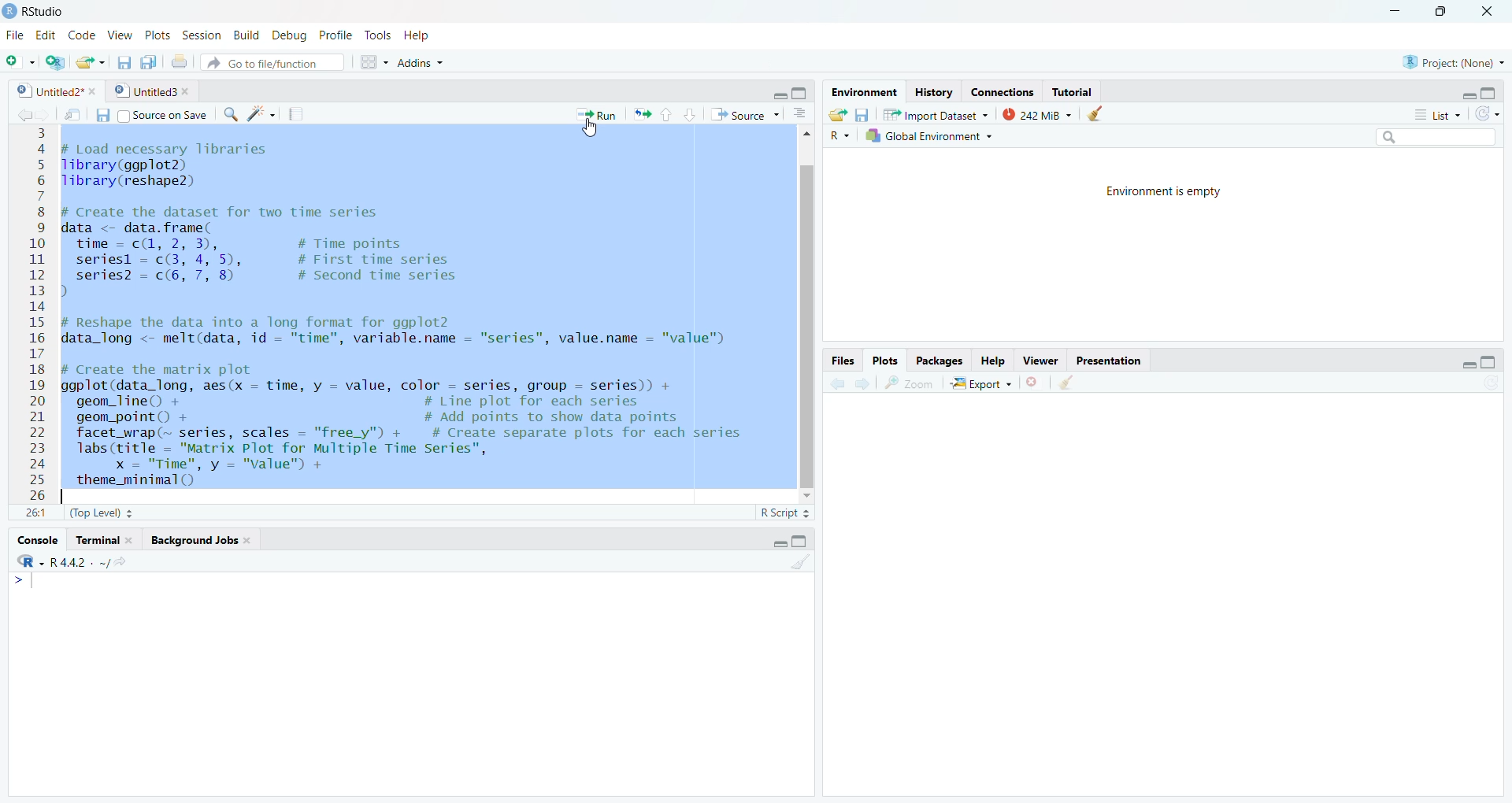 The width and height of the screenshot is (1512, 803). What do you see at coordinates (82, 36) in the screenshot?
I see `Code` at bounding box center [82, 36].